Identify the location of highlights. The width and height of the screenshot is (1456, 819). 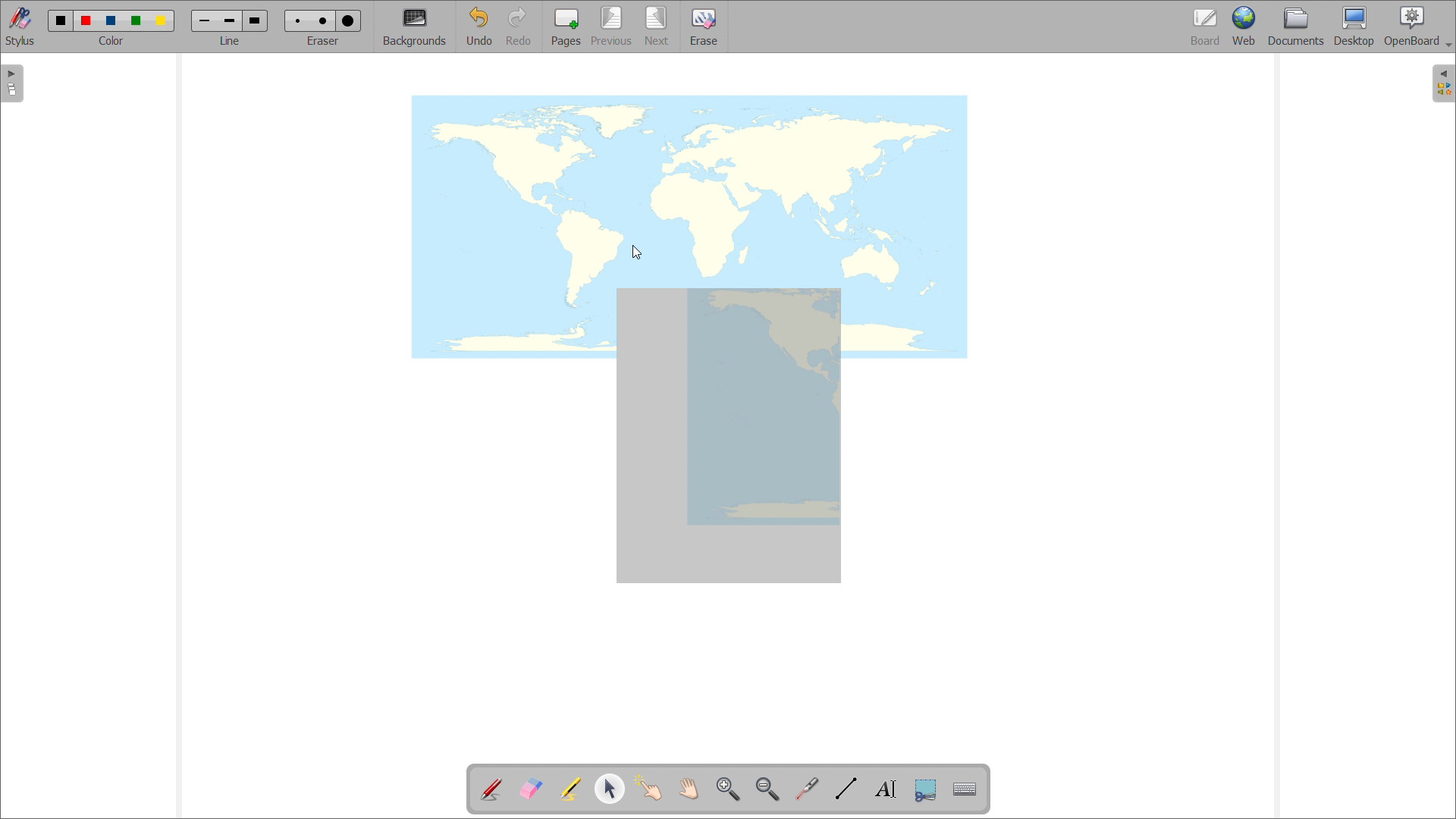
(570, 789).